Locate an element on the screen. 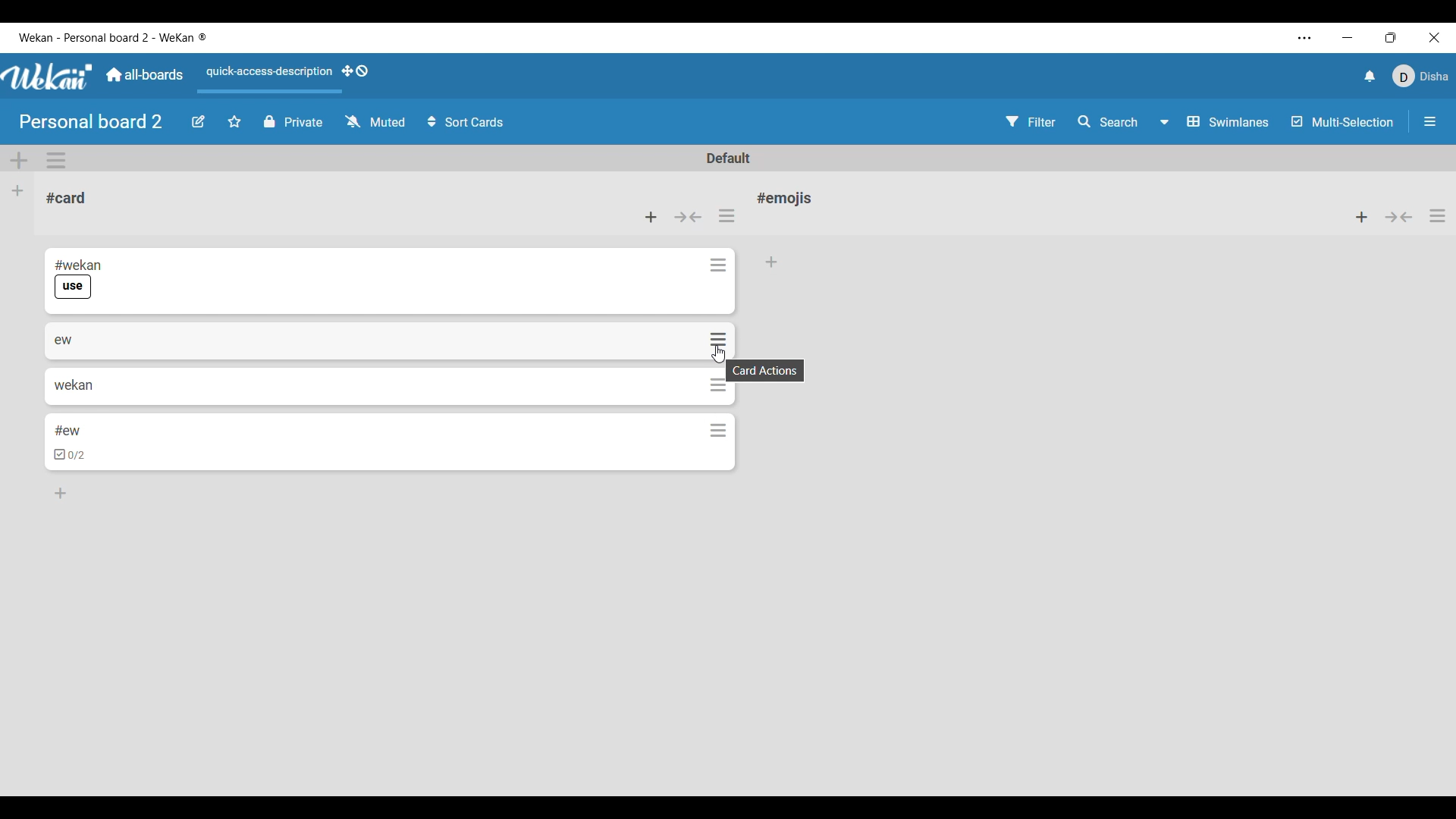  #ew is located at coordinates (67, 430).